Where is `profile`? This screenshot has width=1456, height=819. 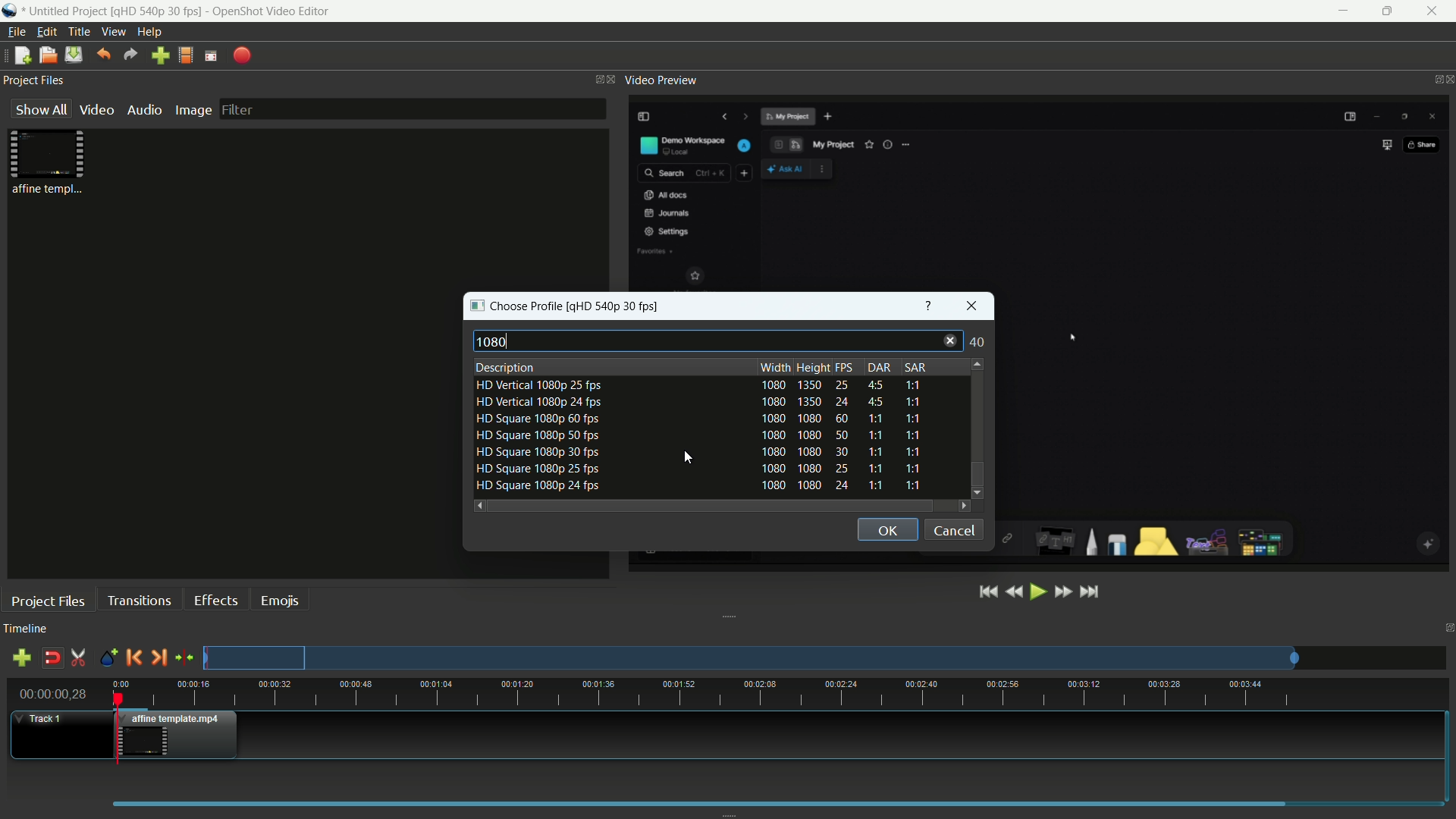
profile is located at coordinates (158, 10).